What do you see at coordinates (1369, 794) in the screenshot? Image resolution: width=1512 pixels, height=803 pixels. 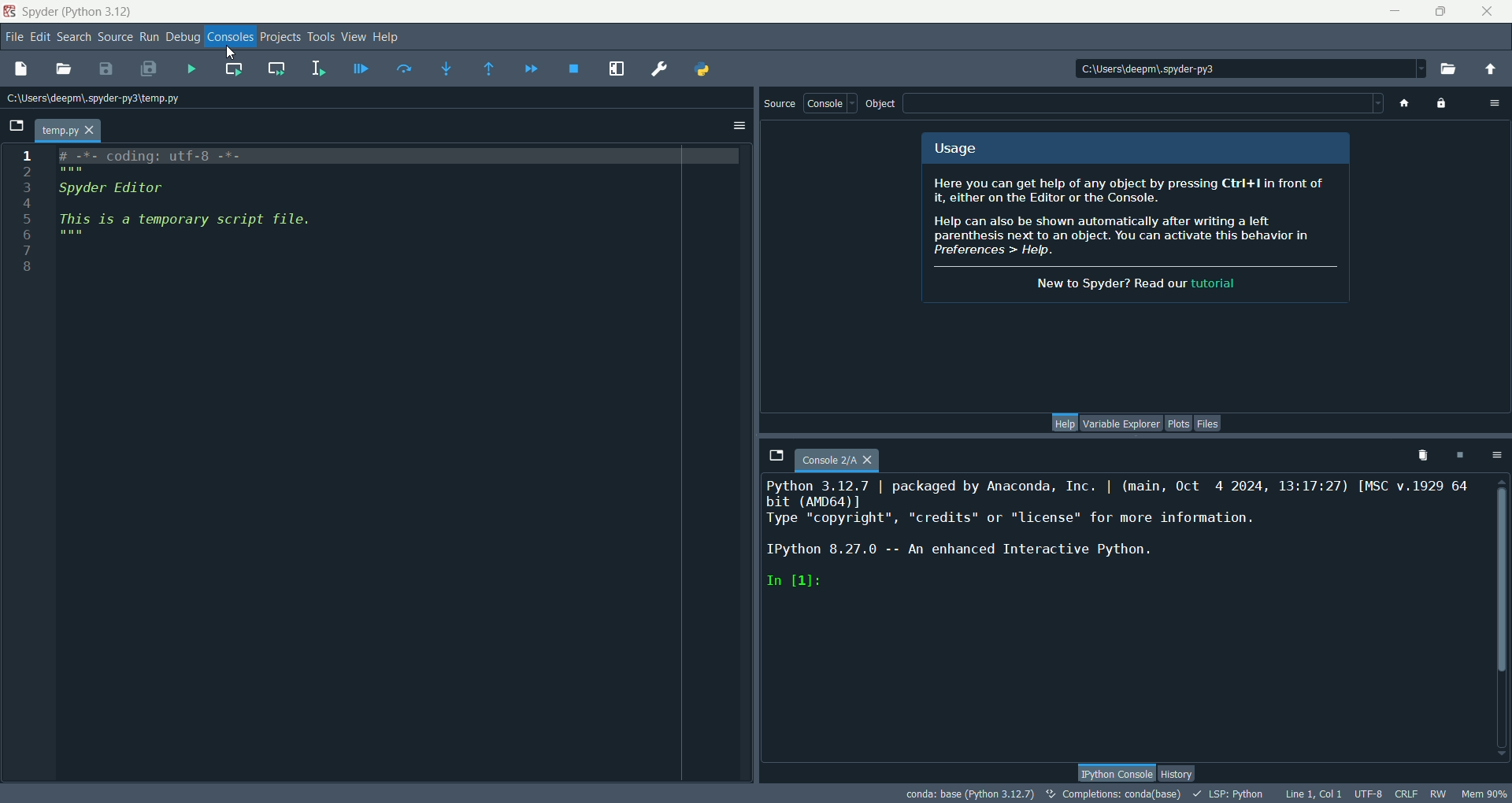 I see `UTF-8` at bounding box center [1369, 794].